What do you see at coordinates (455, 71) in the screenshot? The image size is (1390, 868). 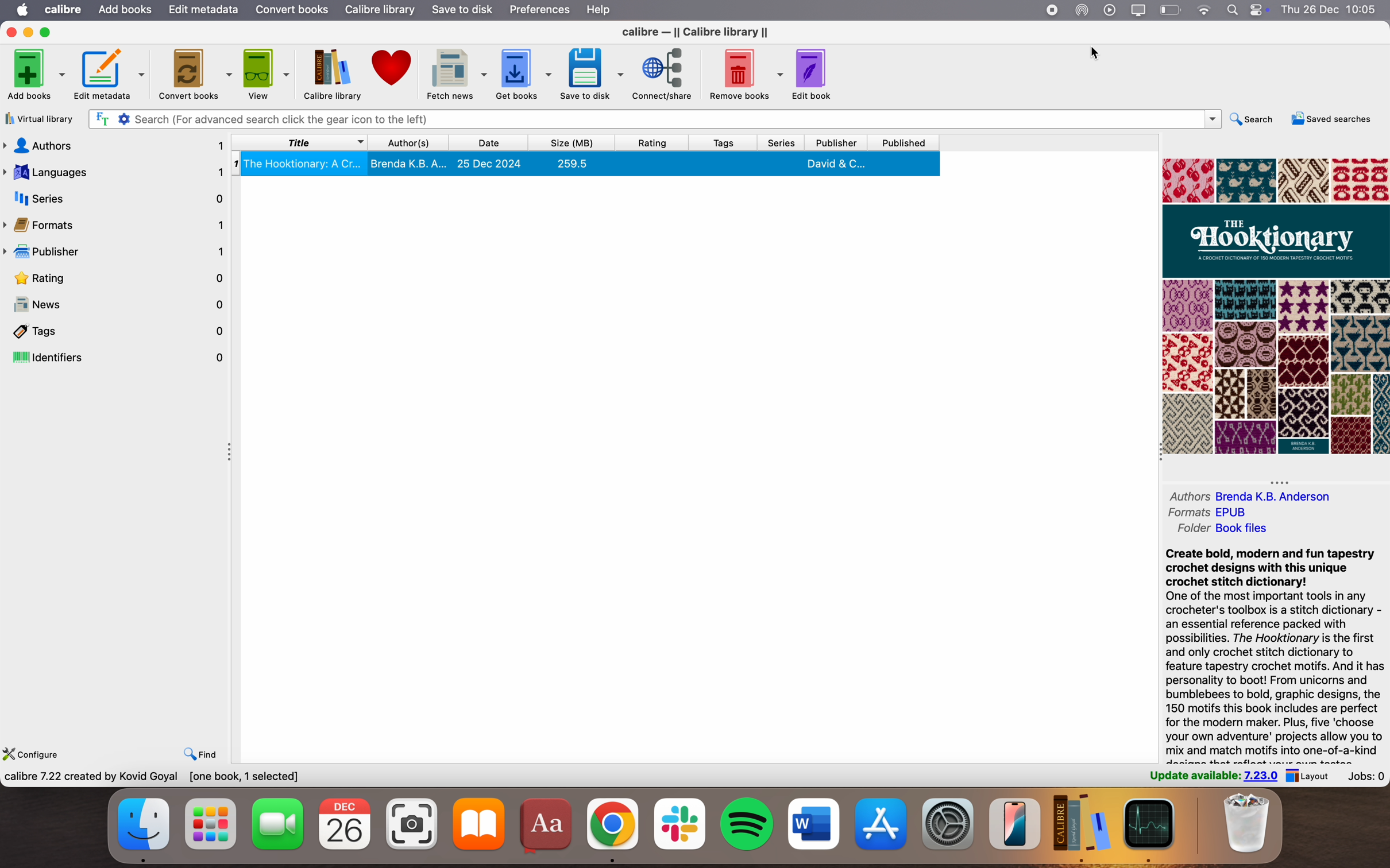 I see `fetch news` at bounding box center [455, 71].